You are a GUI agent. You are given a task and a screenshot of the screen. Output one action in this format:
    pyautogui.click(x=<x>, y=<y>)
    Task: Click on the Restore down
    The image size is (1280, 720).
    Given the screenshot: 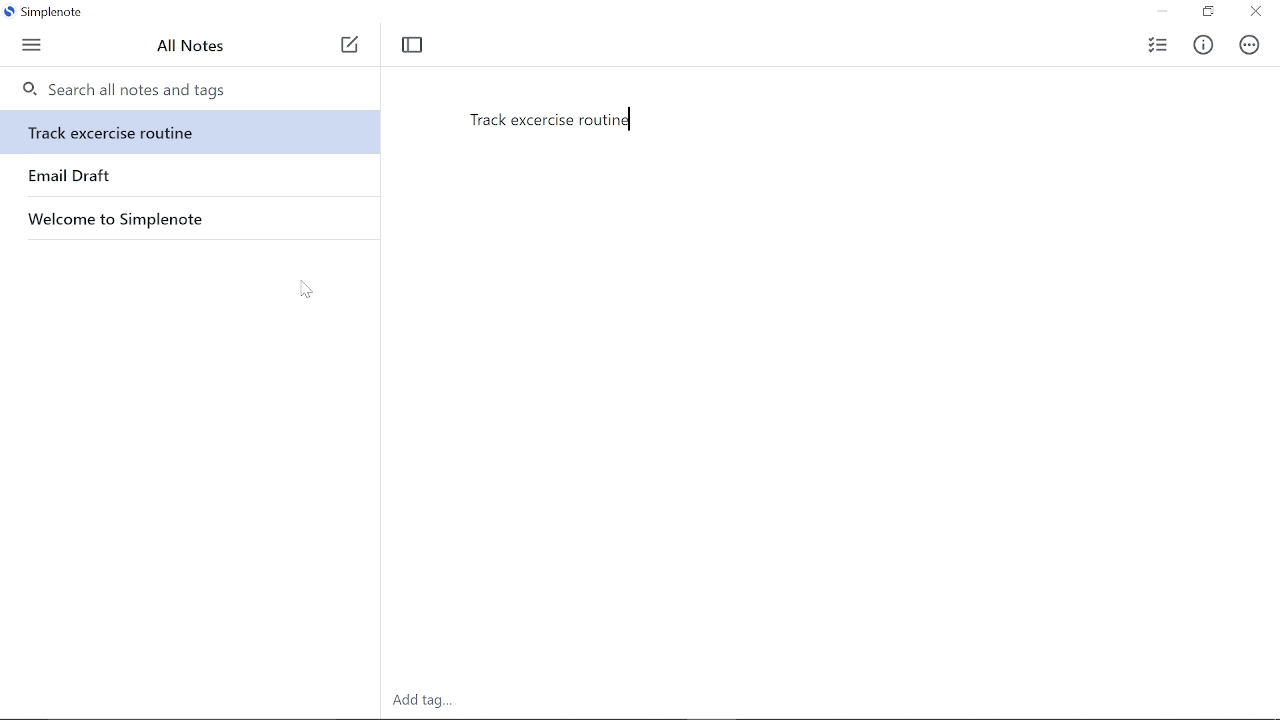 What is the action you would take?
    pyautogui.click(x=1208, y=11)
    